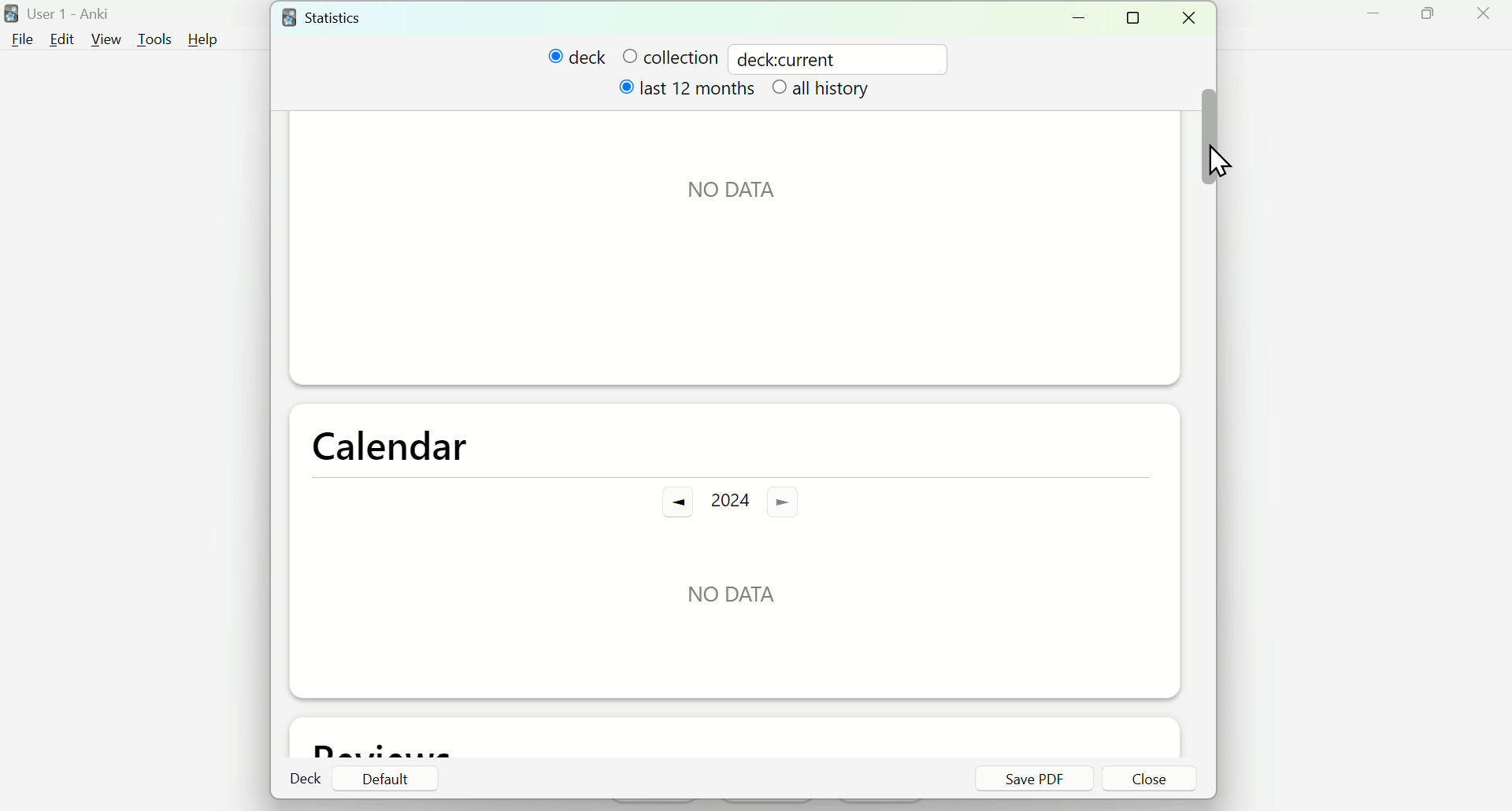 This screenshot has width=1512, height=811. What do you see at coordinates (1084, 17) in the screenshot?
I see `Mininize` at bounding box center [1084, 17].